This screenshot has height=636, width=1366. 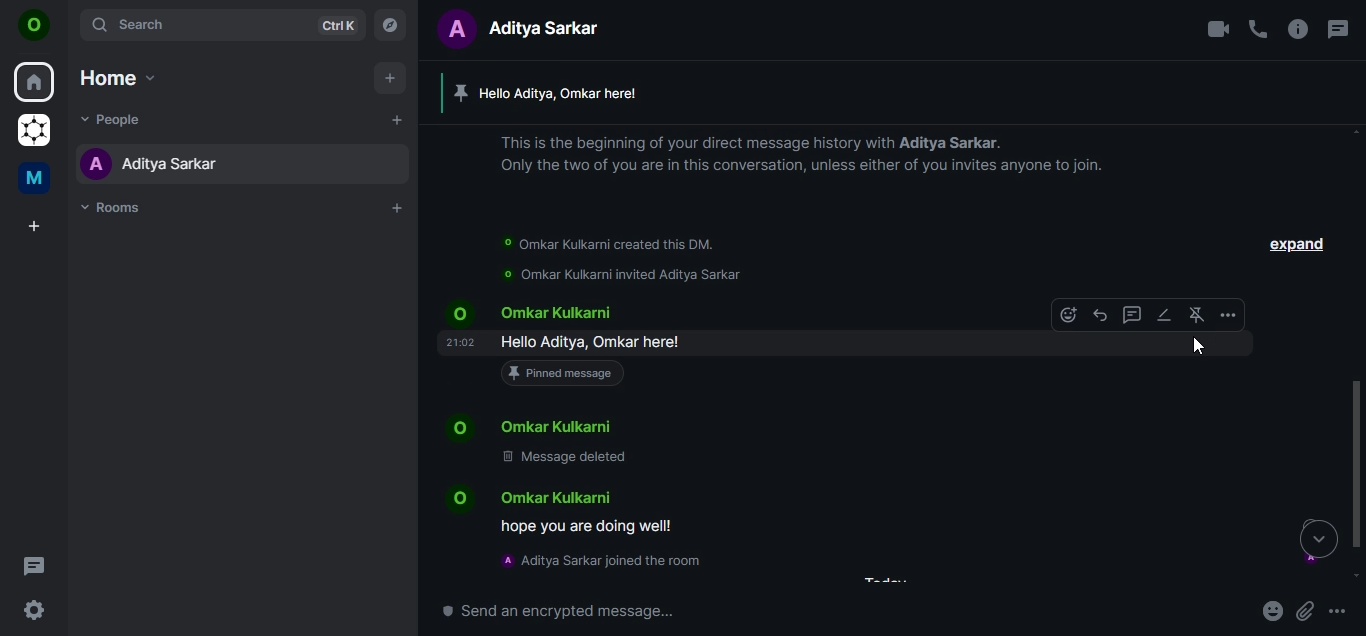 What do you see at coordinates (598, 612) in the screenshot?
I see `send an encrypted message` at bounding box center [598, 612].